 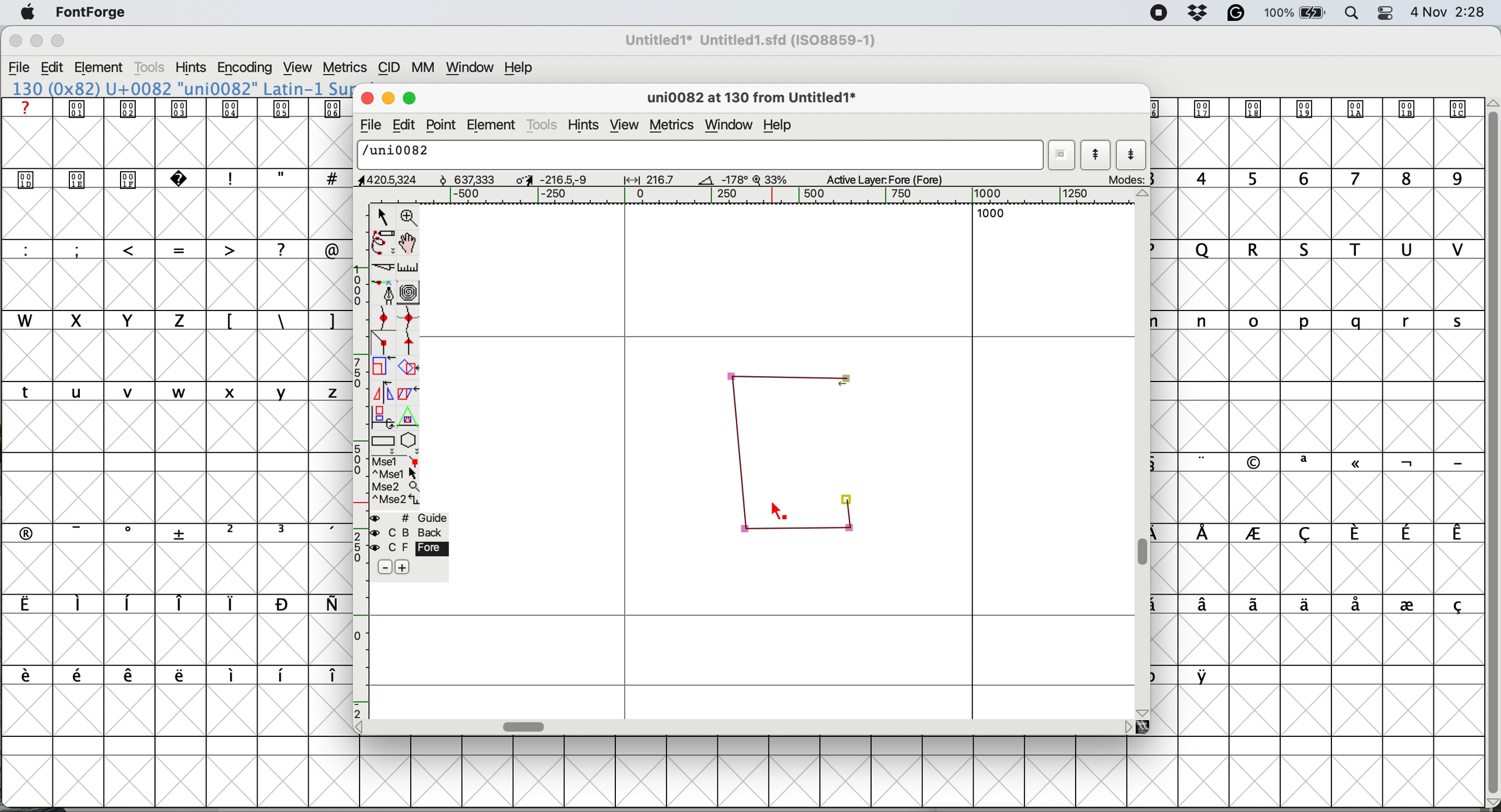 I want to click on symbols, so click(x=1325, y=606).